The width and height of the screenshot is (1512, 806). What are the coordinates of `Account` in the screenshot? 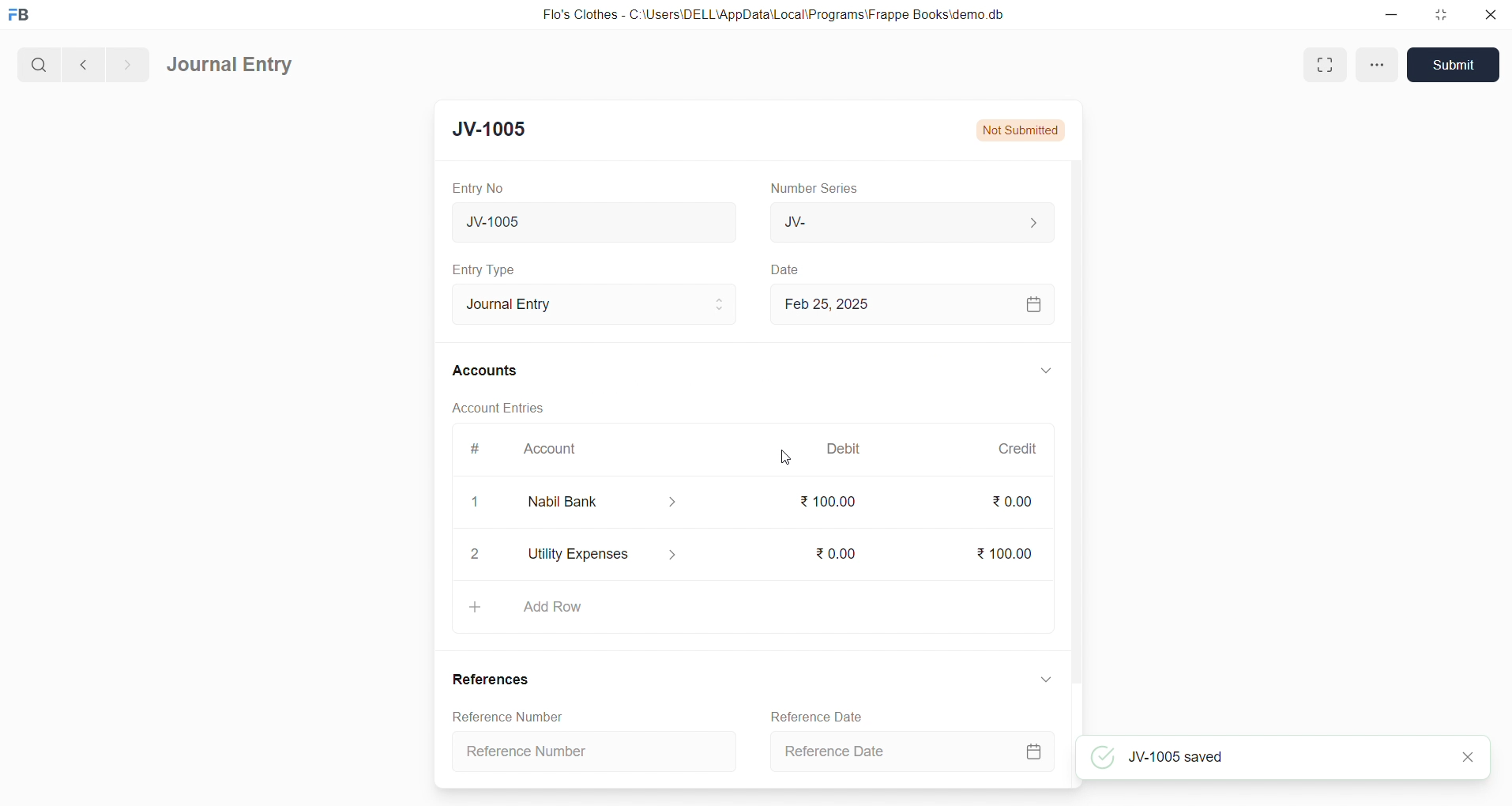 It's located at (553, 450).